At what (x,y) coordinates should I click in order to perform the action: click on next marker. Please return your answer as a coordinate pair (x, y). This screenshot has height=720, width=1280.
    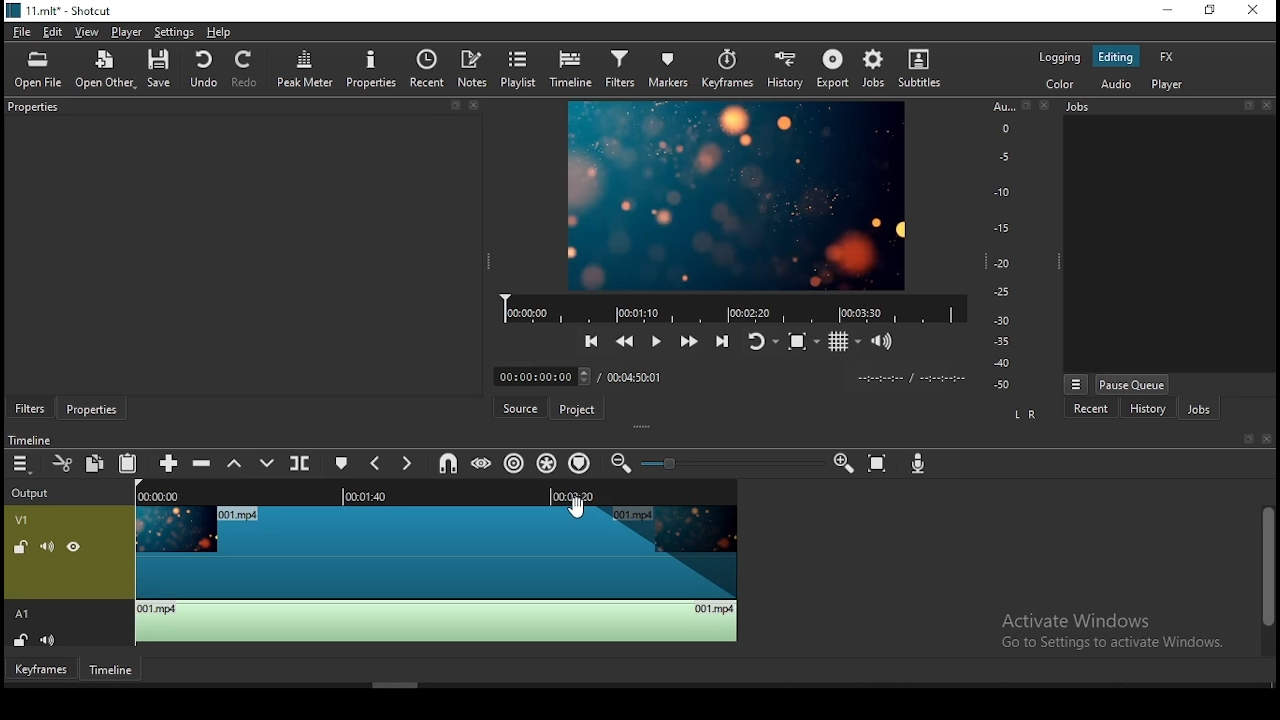
    Looking at the image, I should click on (410, 462).